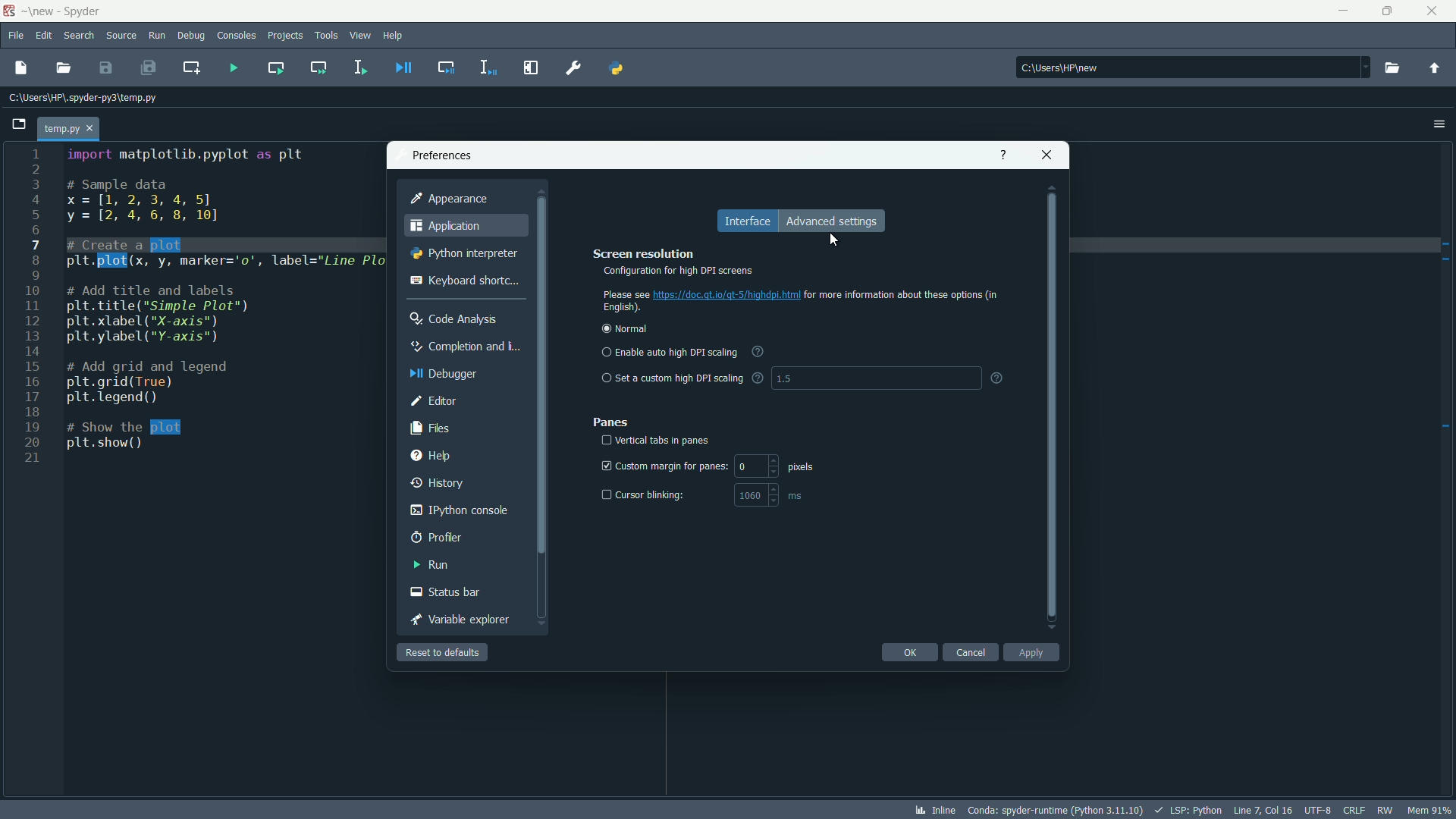 The height and width of the screenshot is (819, 1456). What do you see at coordinates (802, 466) in the screenshot?
I see `pixels` at bounding box center [802, 466].